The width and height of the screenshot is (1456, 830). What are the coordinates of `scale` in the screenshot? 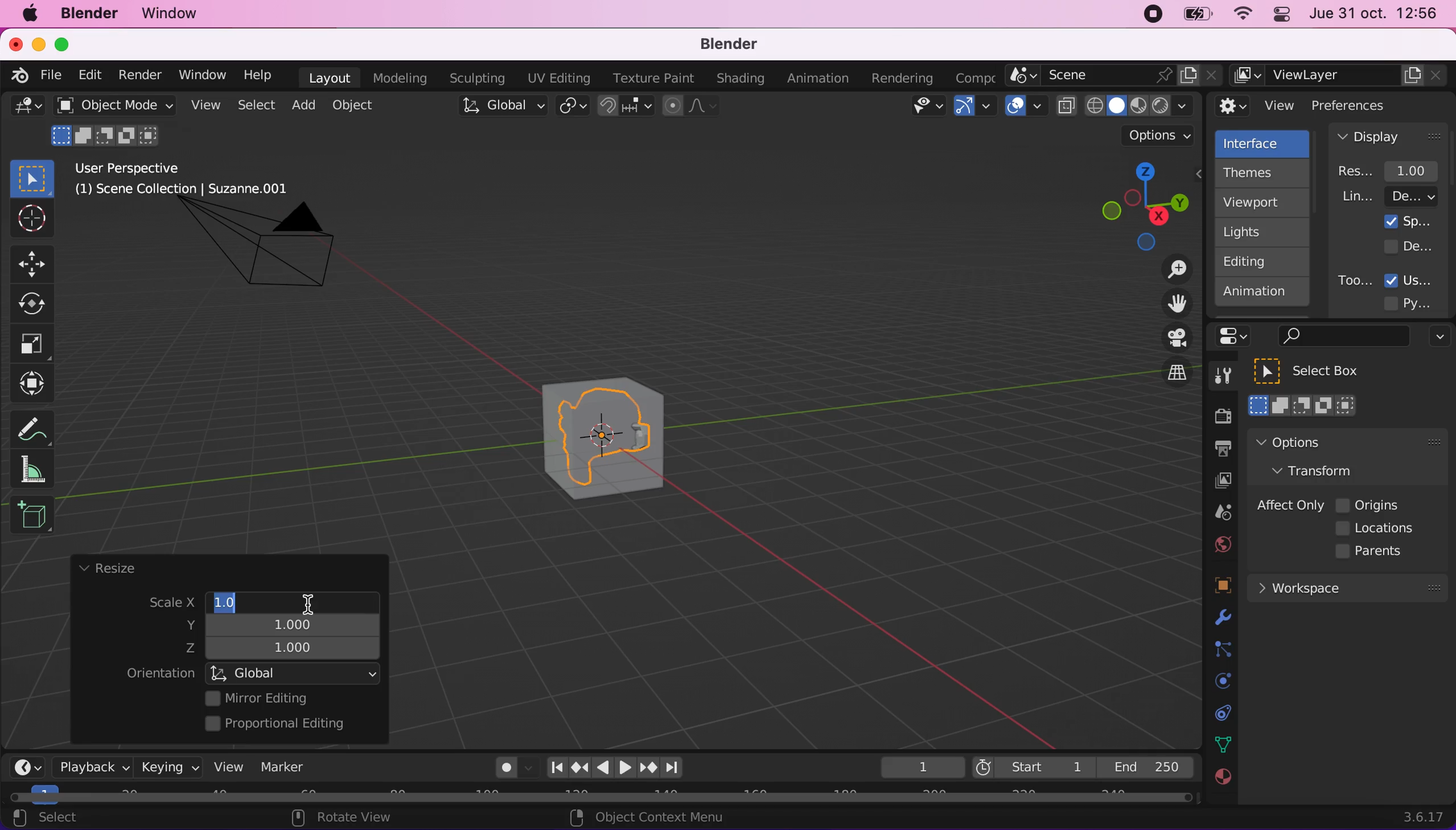 It's located at (161, 604).